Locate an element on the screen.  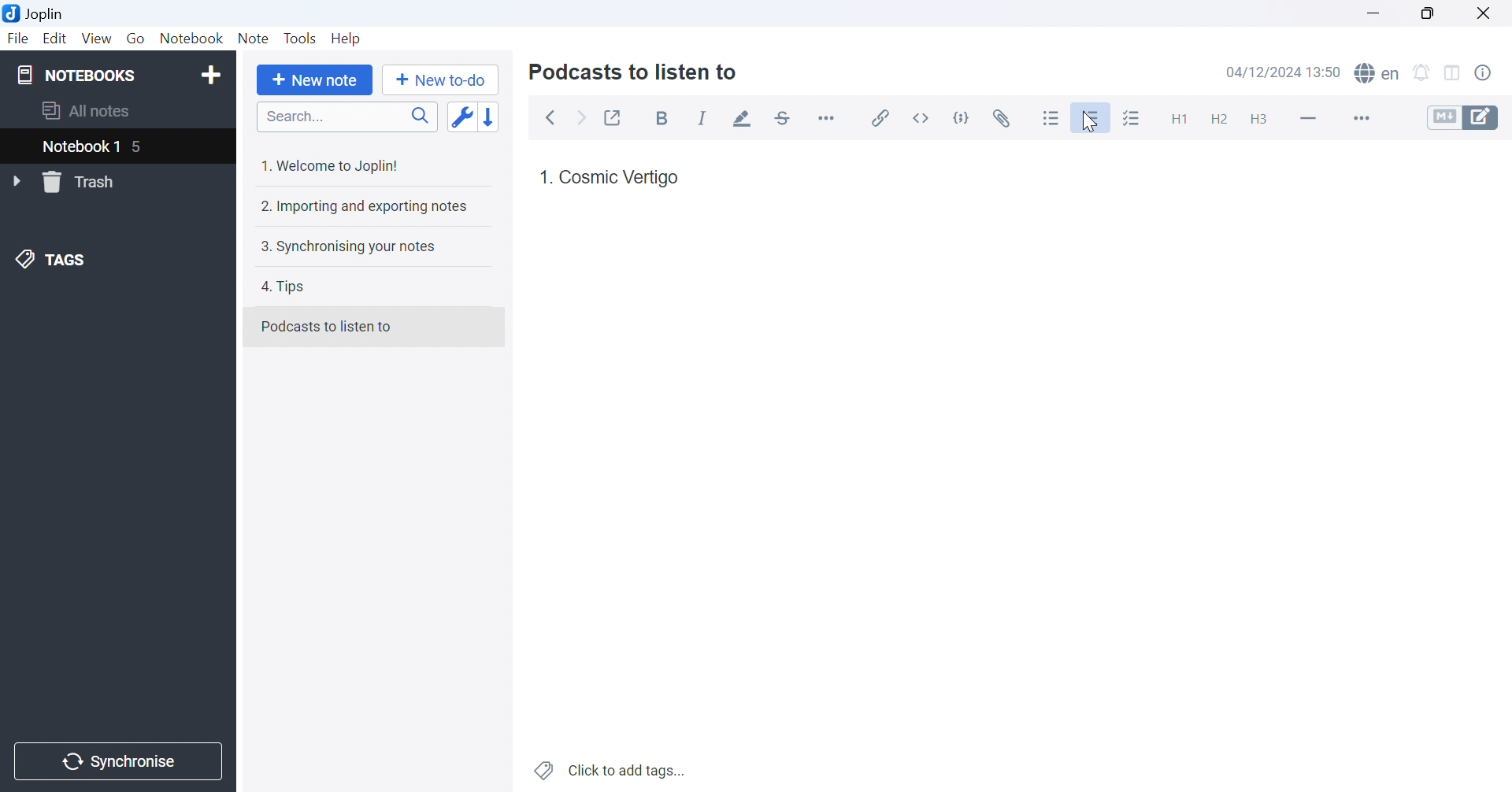
Podcasts to listen to is located at coordinates (328, 325).